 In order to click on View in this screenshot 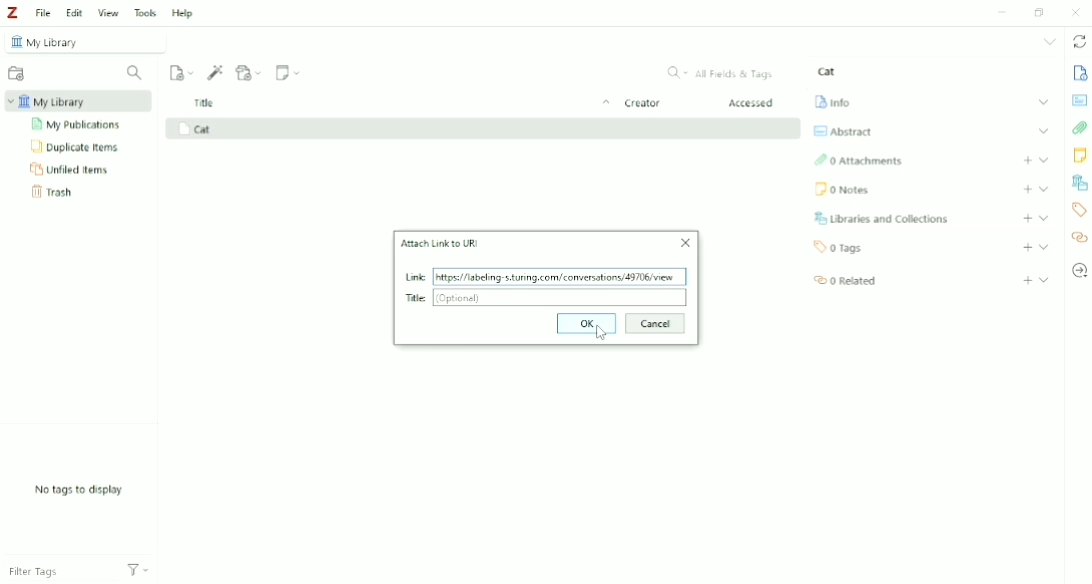, I will do `click(109, 12)`.